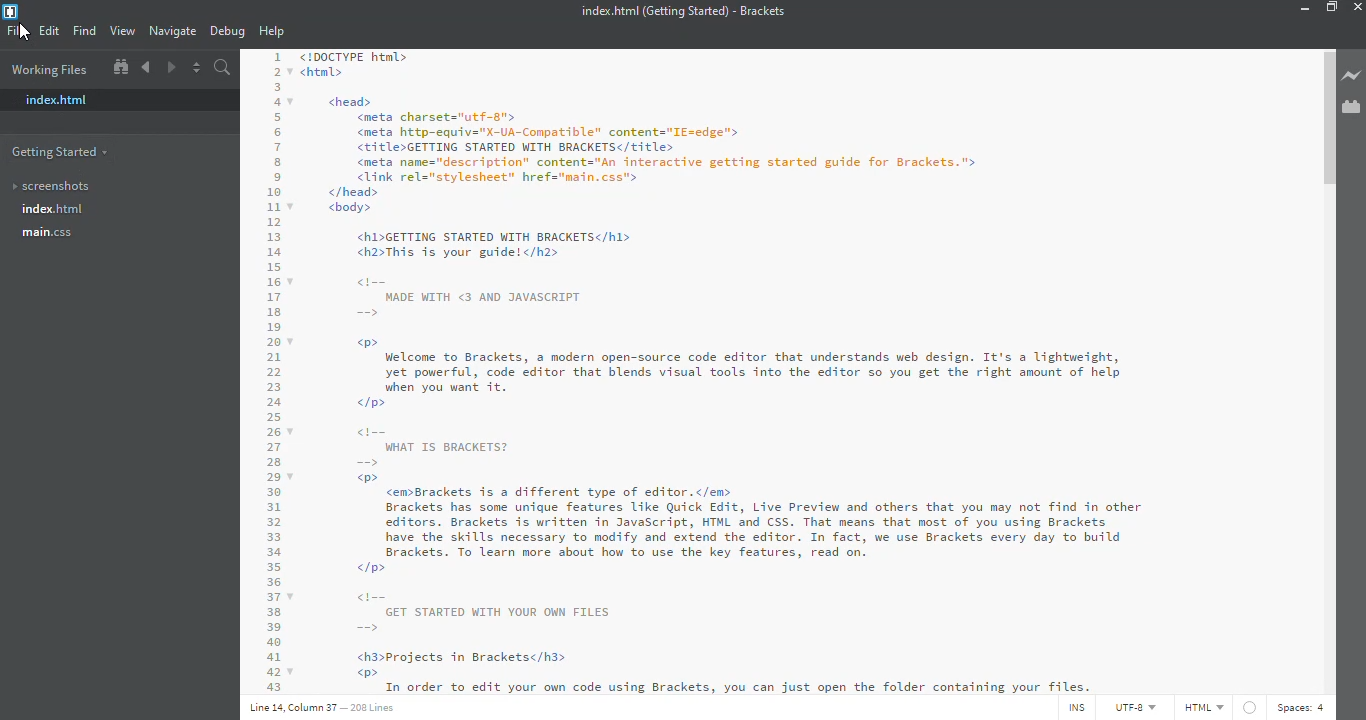 The image size is (1366, 720). What do you see at coordinates (61, 236) in the screenshot?
I see `main.css` at bounding box center [61, 236].